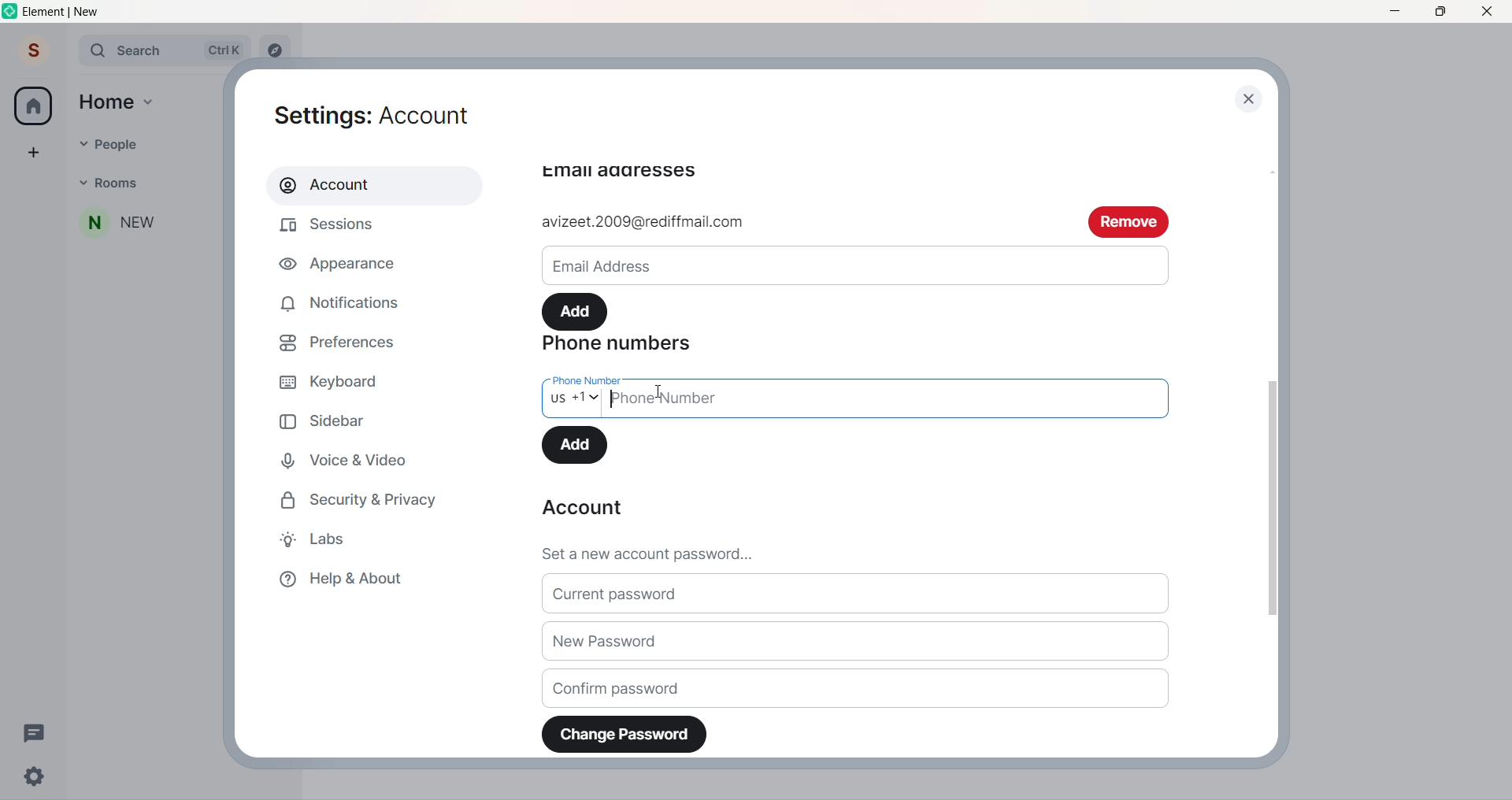 The width and height of the screenshot is (1512, 800). Describe the element at coordinates (326, 539) in the screenshot. I see `Labs` at that location.